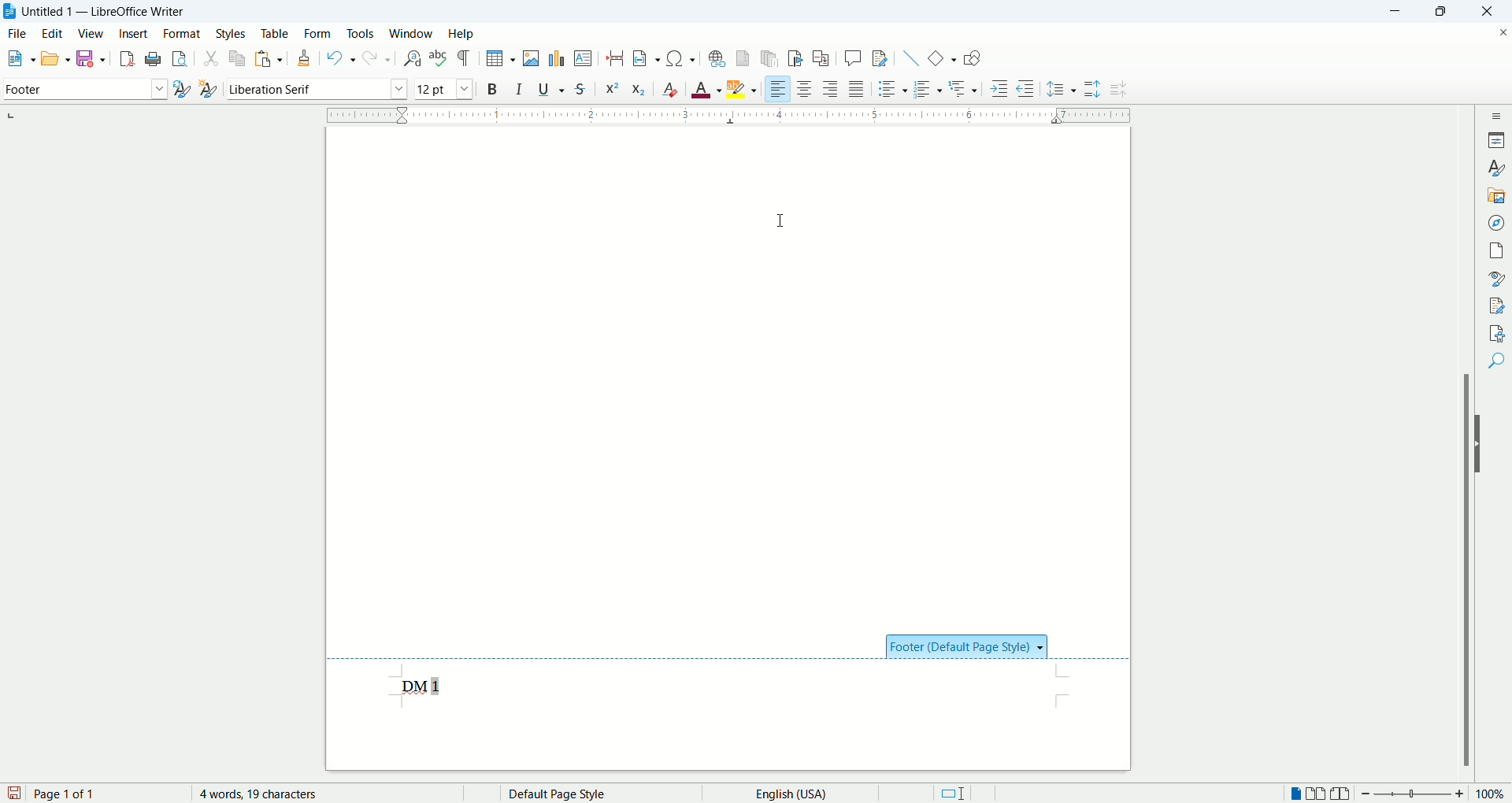 The height and width of the screenshot is (803, 1512). Describe the element at coordinates (17, 60) in the screenshot. I see `open` at that location.